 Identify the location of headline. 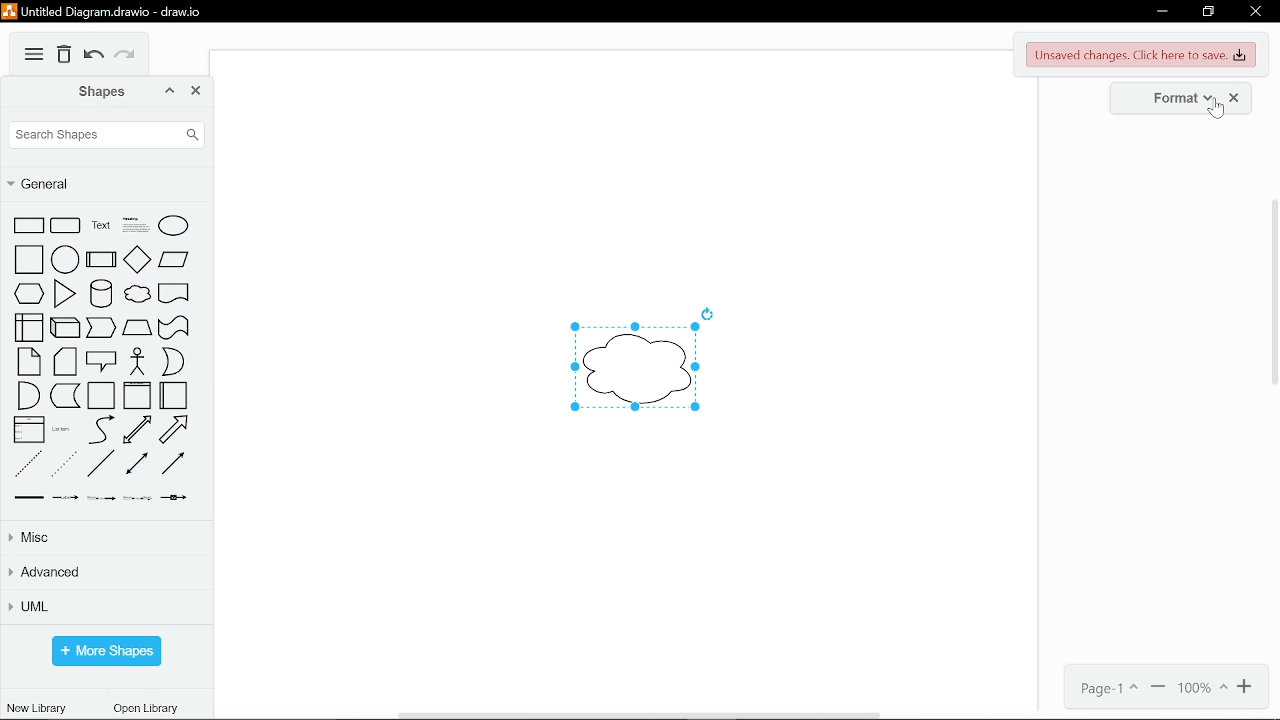
(134, 226).